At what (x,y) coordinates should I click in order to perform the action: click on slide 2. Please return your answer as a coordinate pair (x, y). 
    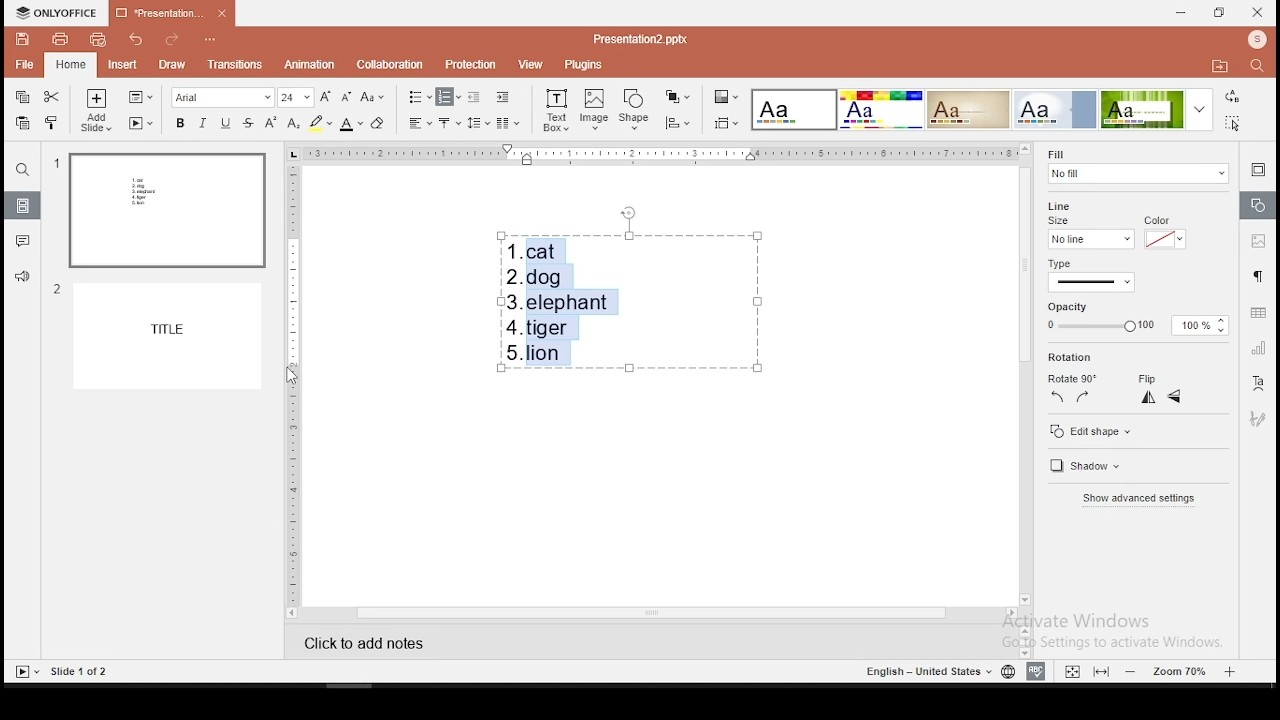
    Looking at the image, I should click on (159, 335).